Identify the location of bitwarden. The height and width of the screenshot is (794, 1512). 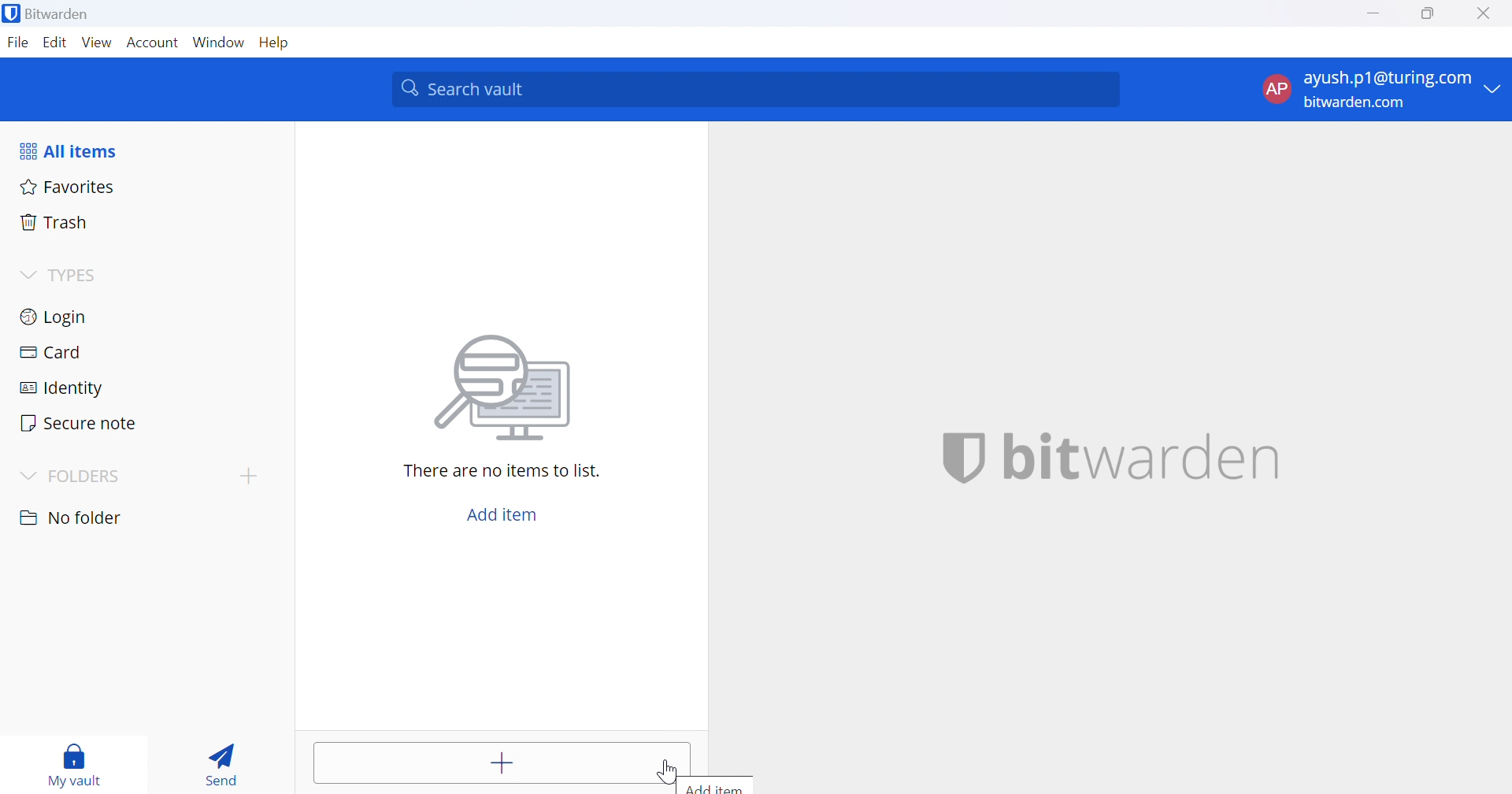
(1111, 459).